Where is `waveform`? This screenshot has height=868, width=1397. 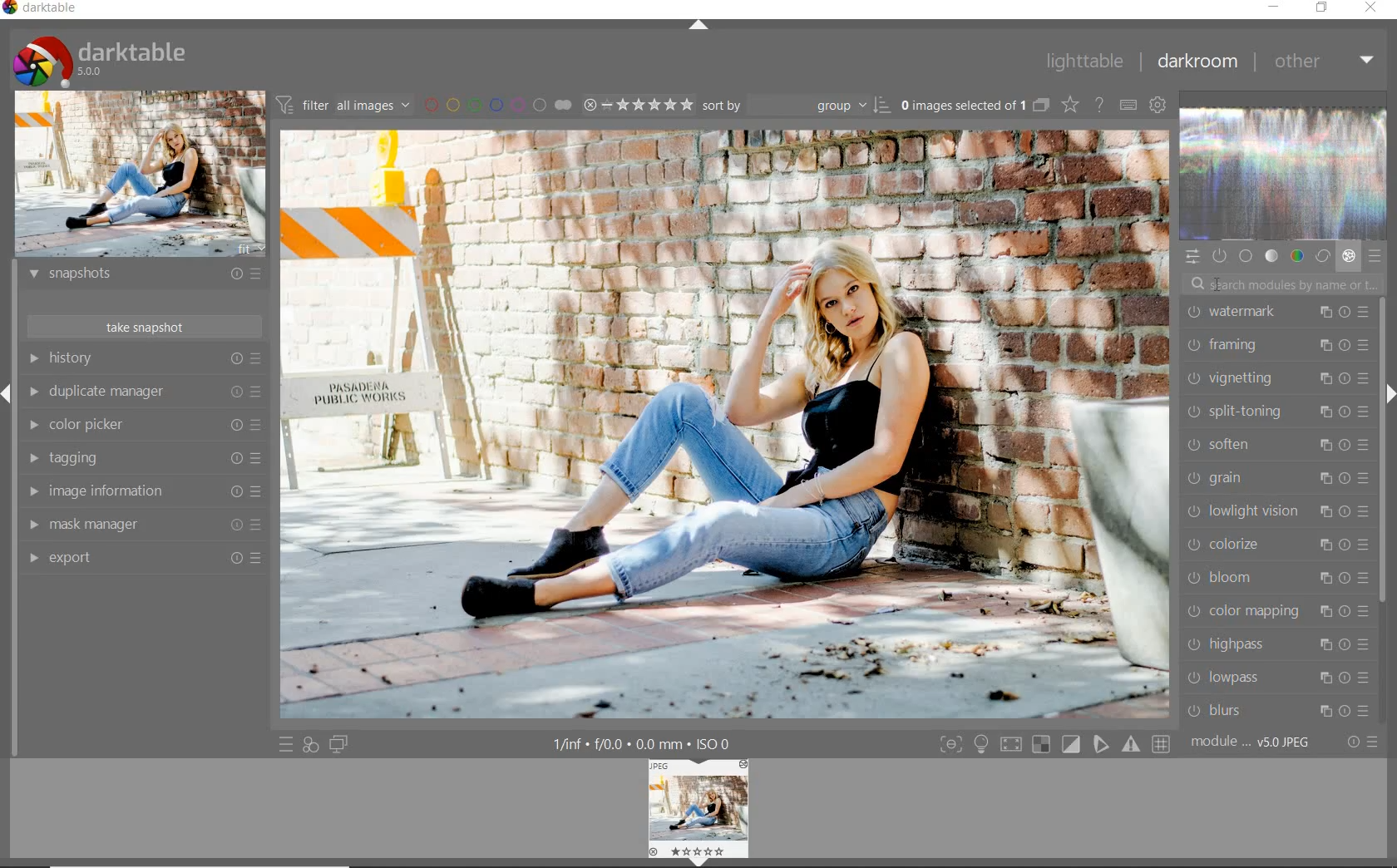
waveform is located at coordinates (1284, 175).